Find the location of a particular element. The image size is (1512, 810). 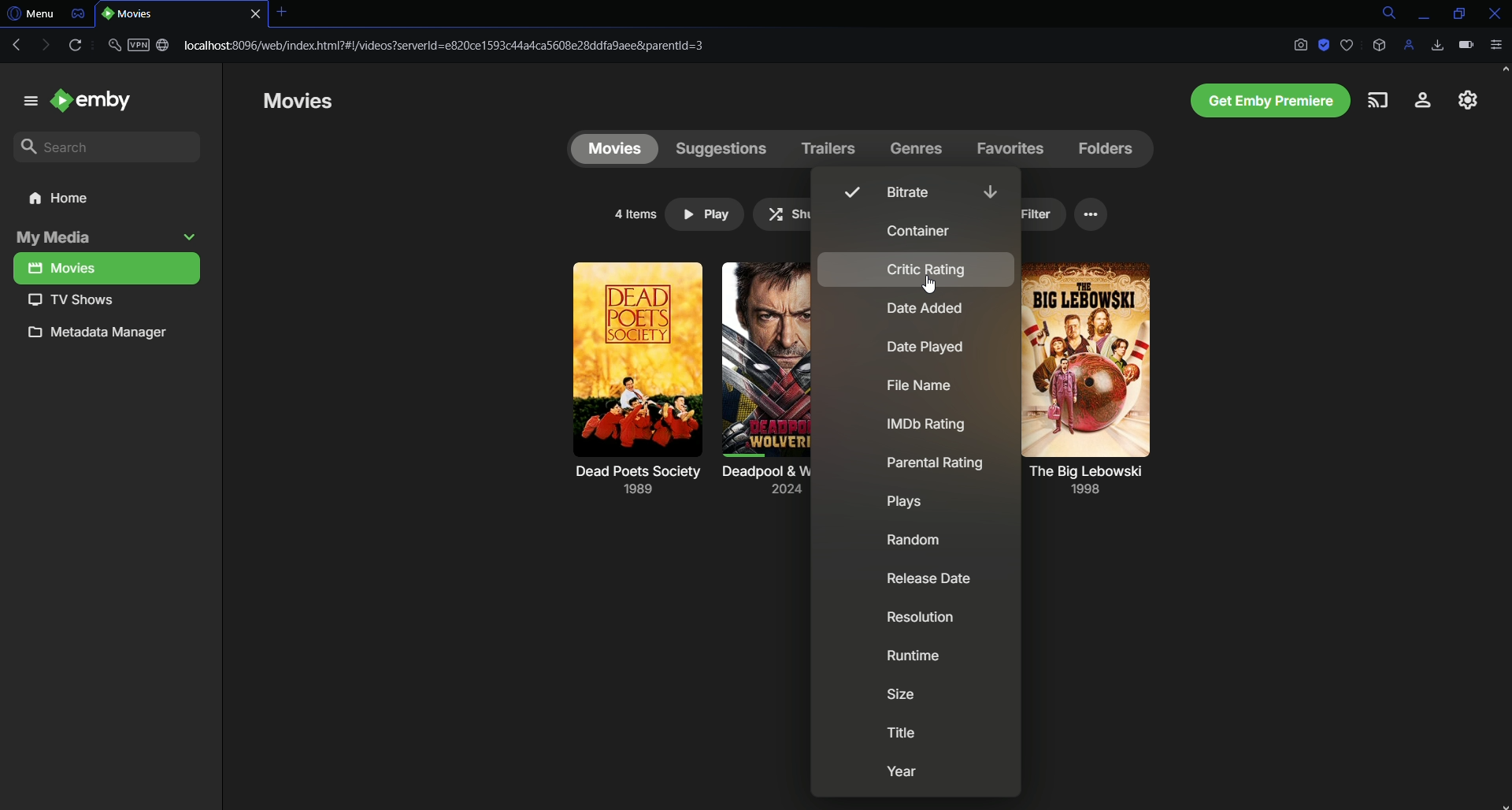

Metadata manager is located at coordinates (106, 336).